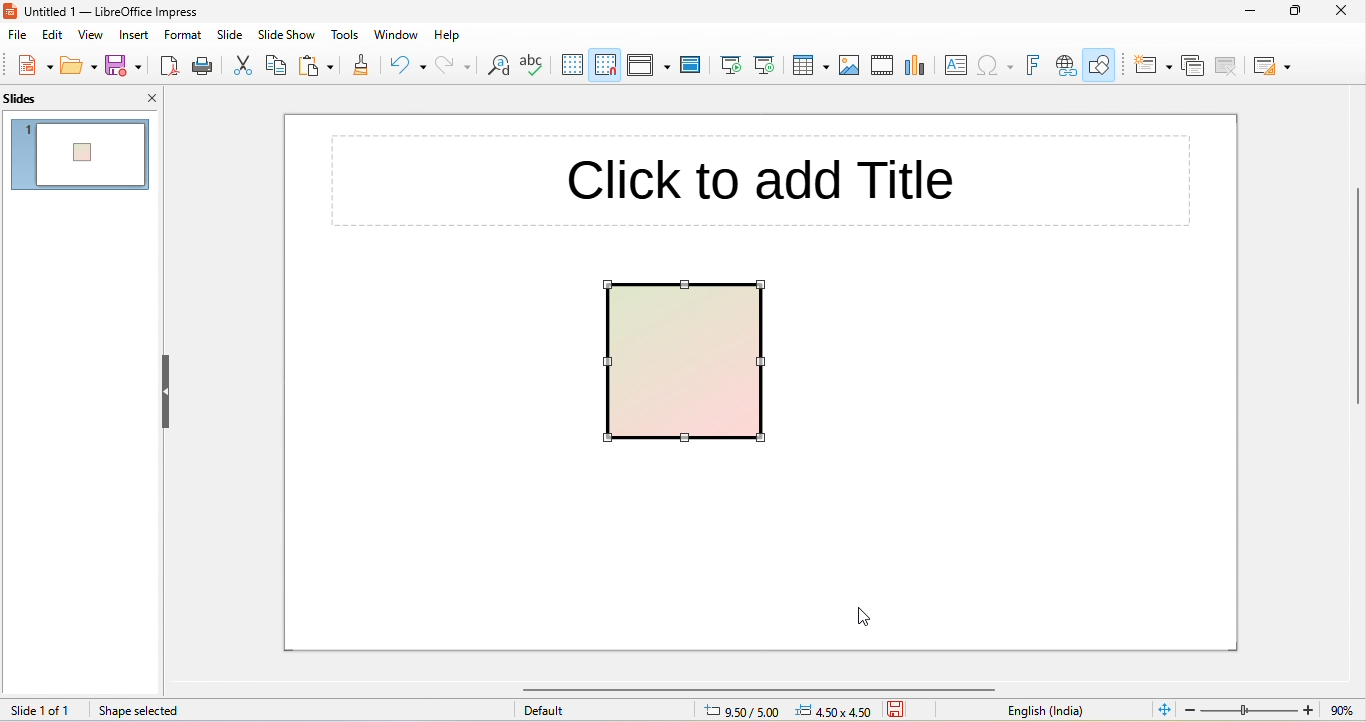 The image size is (1366, 722). Describe the element at coordinates (496, 66) in the screenshot. I see `find and replace` at that location.